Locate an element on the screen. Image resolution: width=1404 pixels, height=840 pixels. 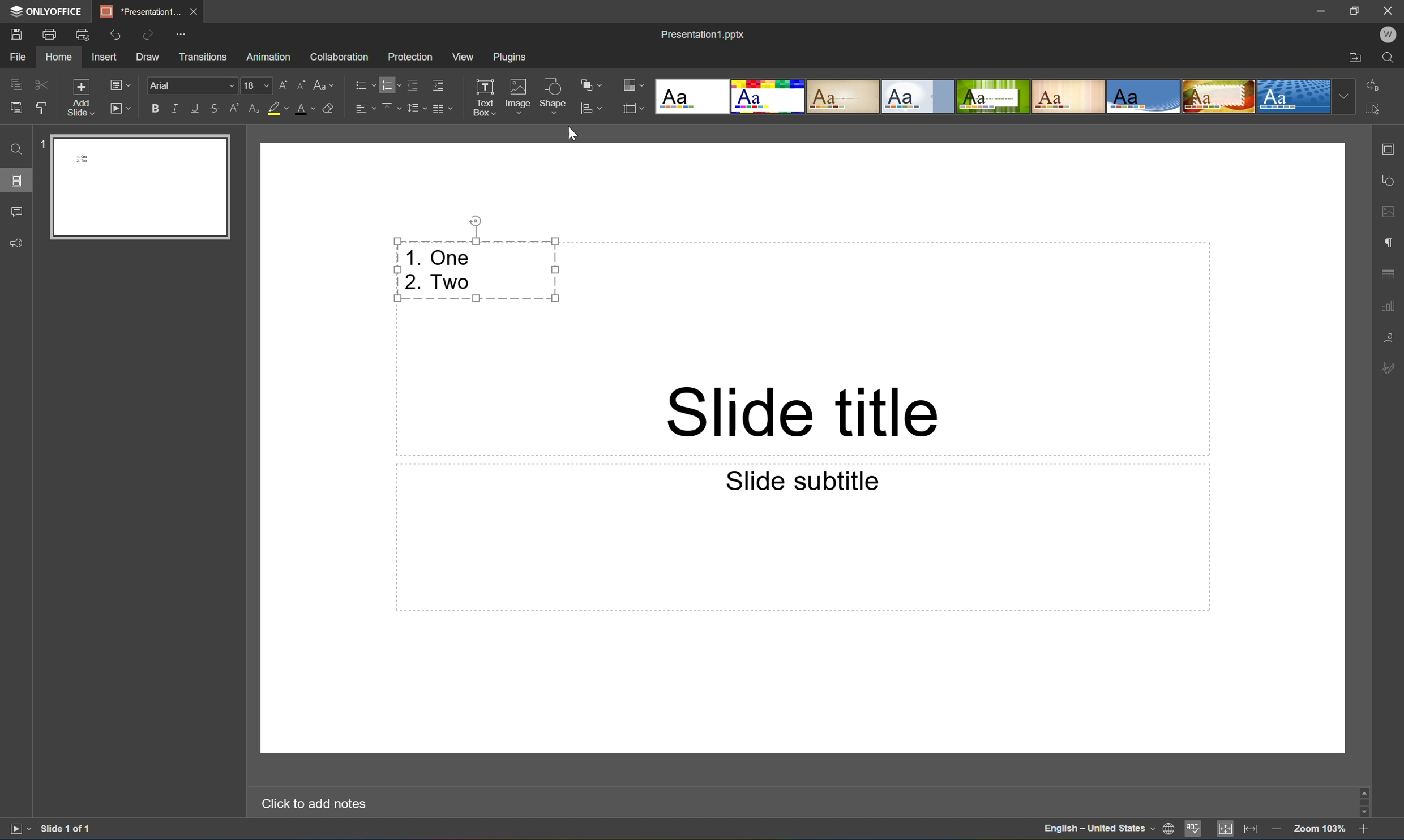
Protection is located at coordinates (410, 57).